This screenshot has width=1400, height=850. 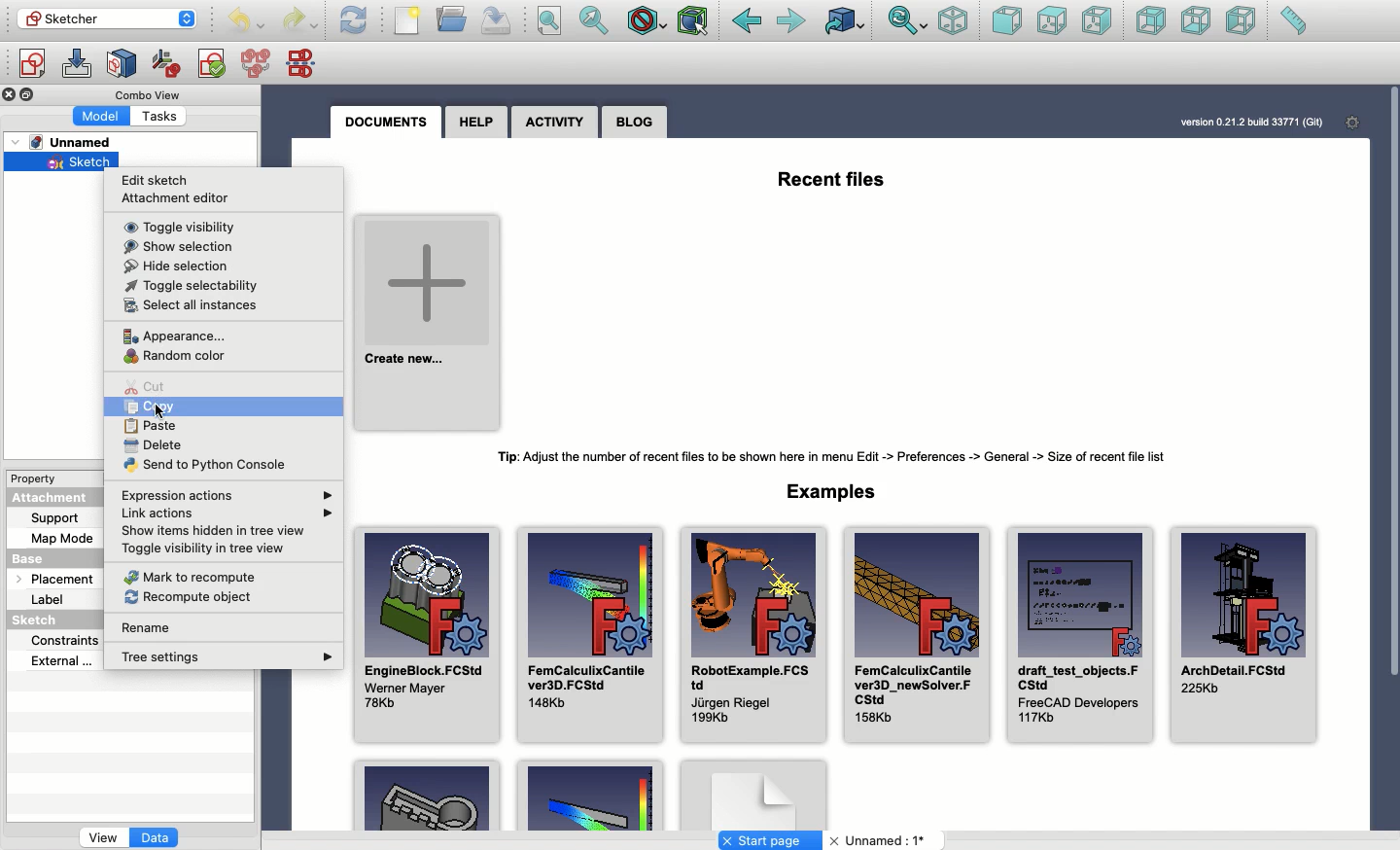 What do you see at coordinates (175, 336) in the screenshot?
I see `Appearance` at bounding box center [175, 336].